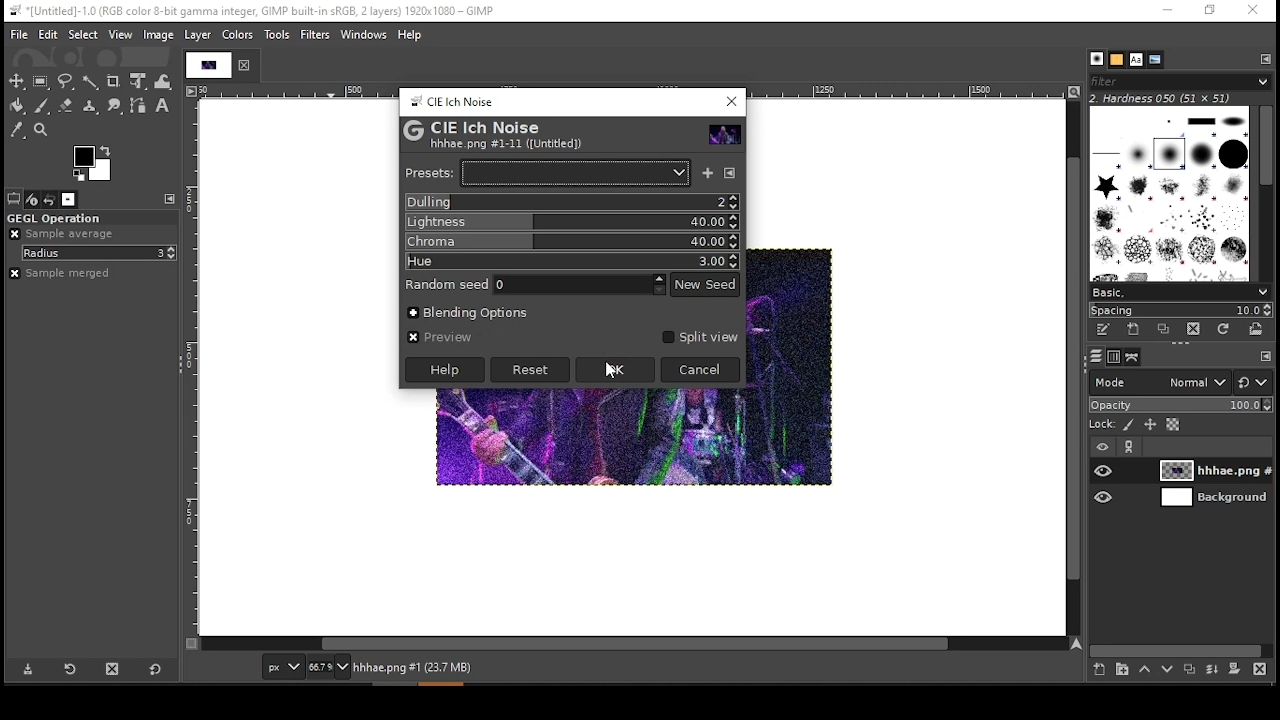 Image resolution: width=1280 pixels, height=720 pixels. I want to click on units, so click(282, 667).